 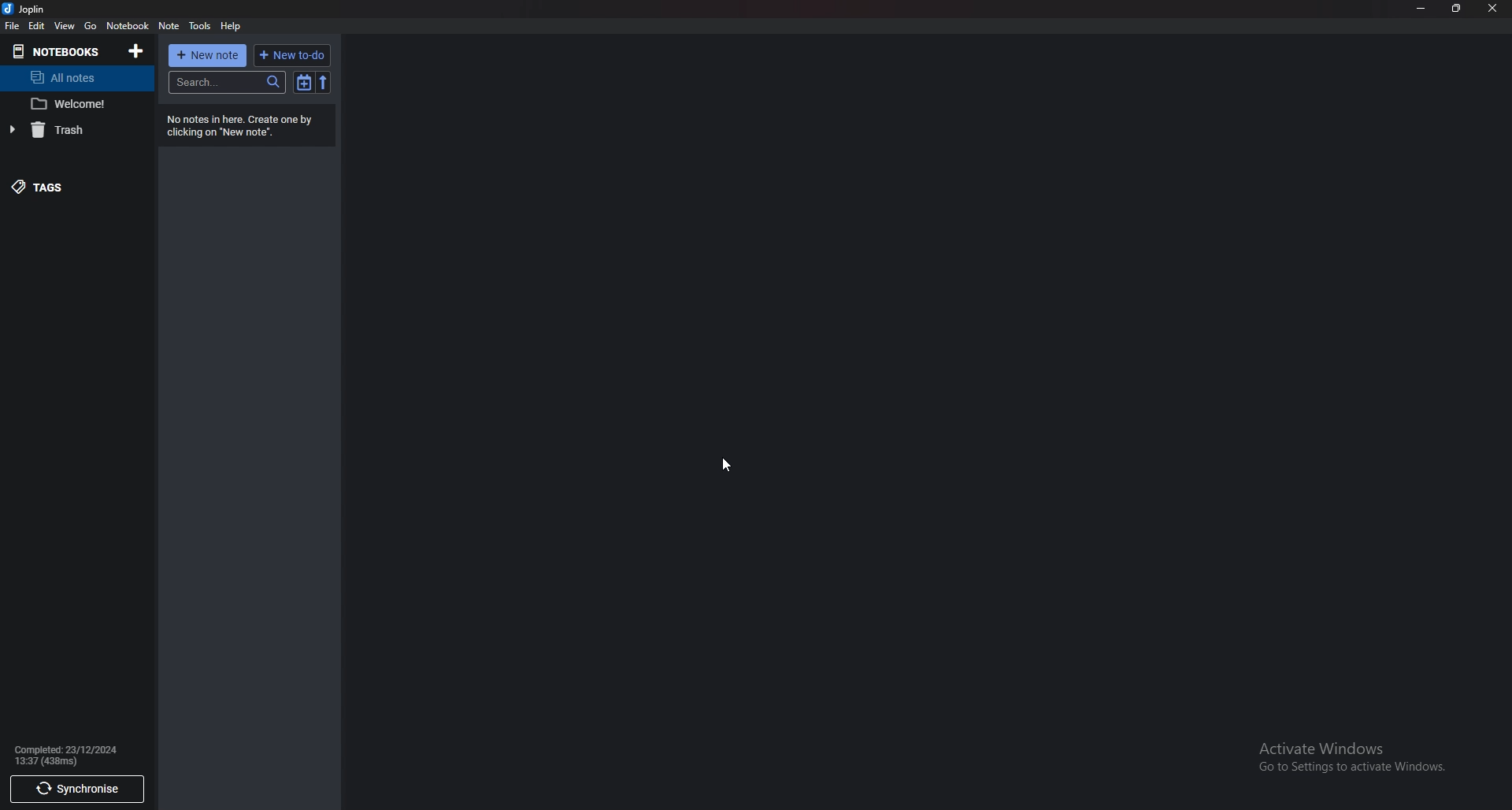 What do you see at coordinates (80, 80) in the screenshot?
I see `All notes` at bounding box center [80, 80].